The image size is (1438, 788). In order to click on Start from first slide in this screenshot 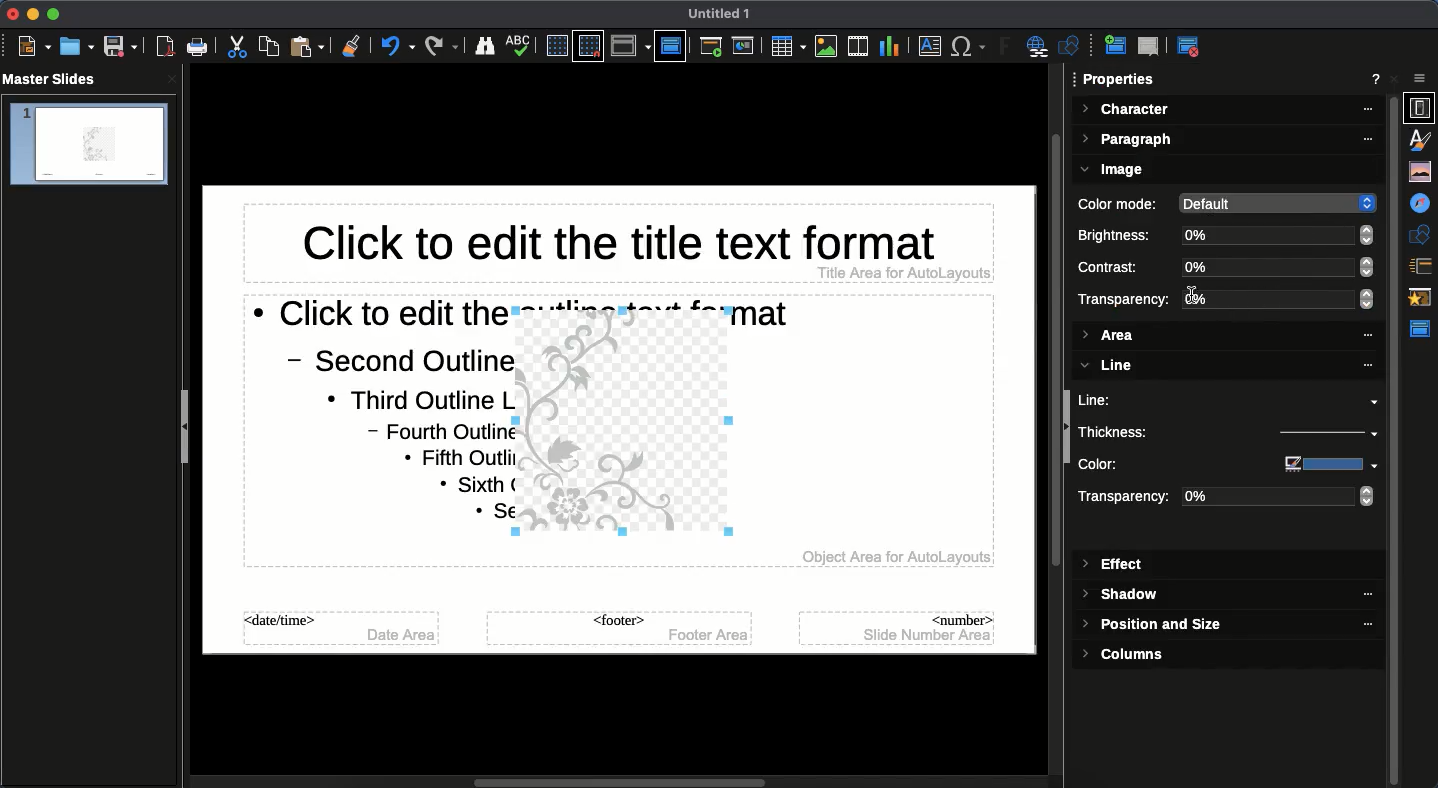, I will do `click(713, 49)`.